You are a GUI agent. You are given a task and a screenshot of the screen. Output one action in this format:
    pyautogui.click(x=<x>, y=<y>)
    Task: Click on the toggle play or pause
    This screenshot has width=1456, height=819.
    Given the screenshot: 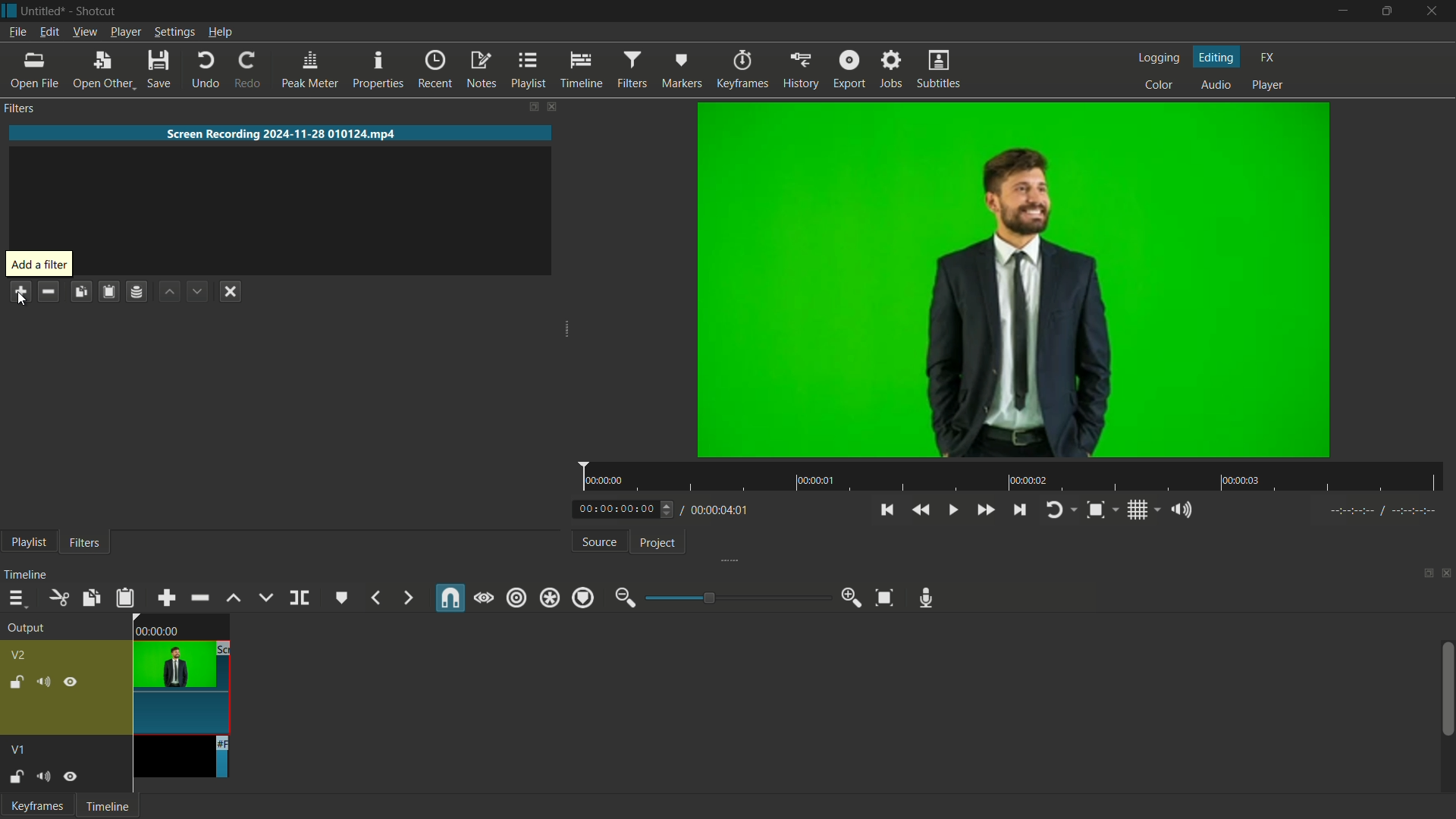 What is the action you would take?
    pyautogui.click(x=952, y=511)
    